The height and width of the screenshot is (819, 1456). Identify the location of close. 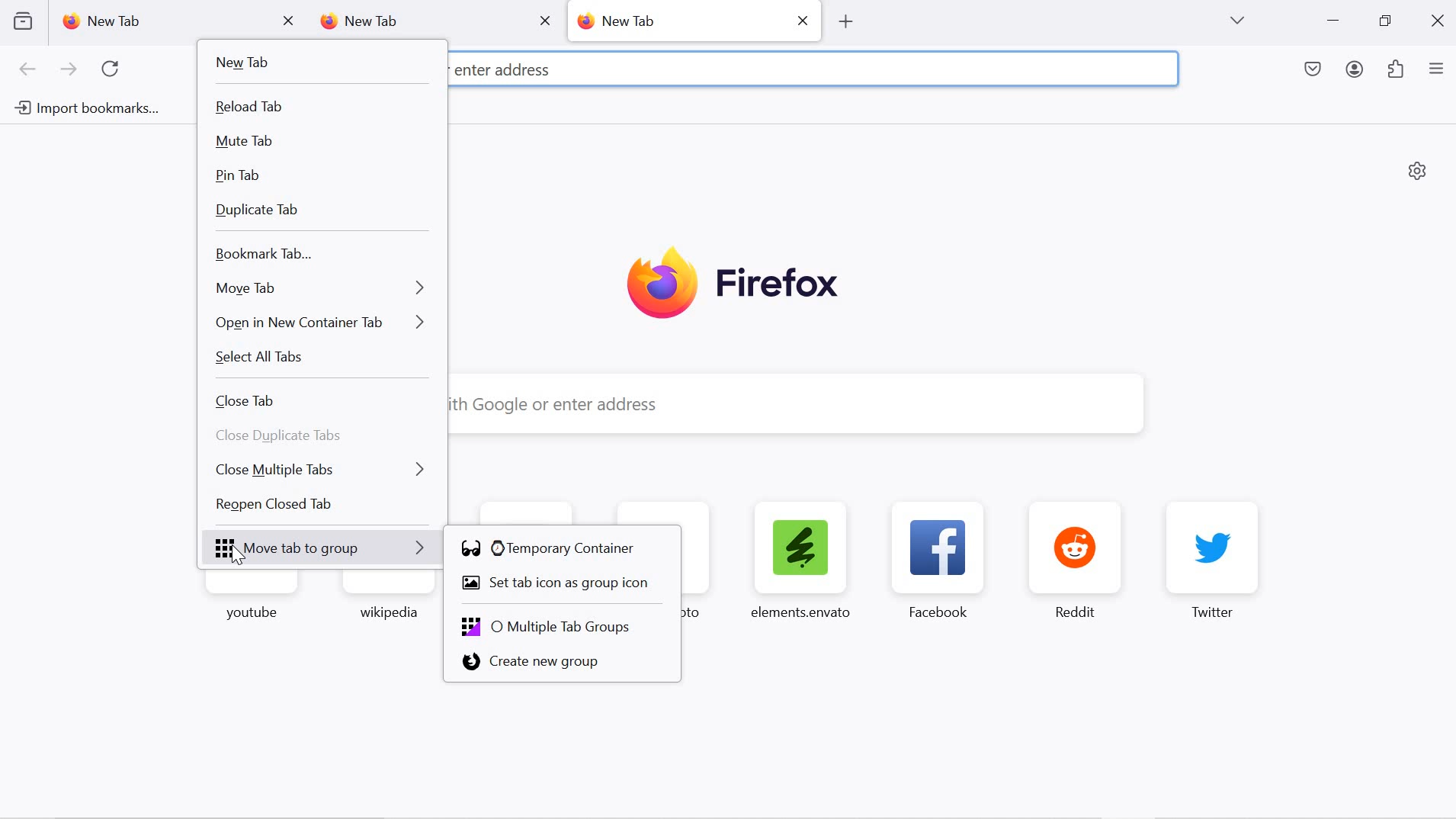
(544, 20).